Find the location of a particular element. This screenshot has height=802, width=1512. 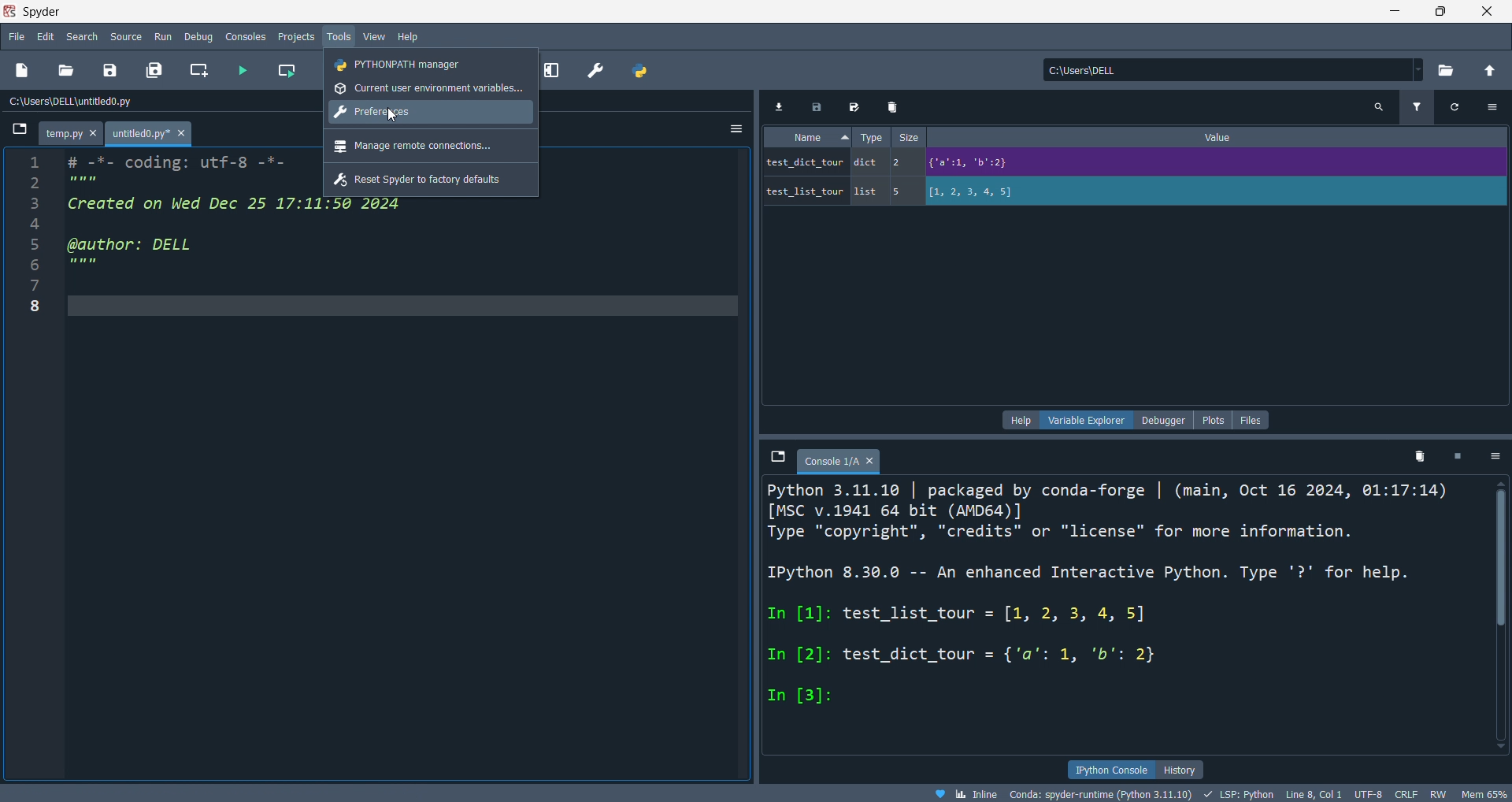

create cell is located at coordinates (200, 71).